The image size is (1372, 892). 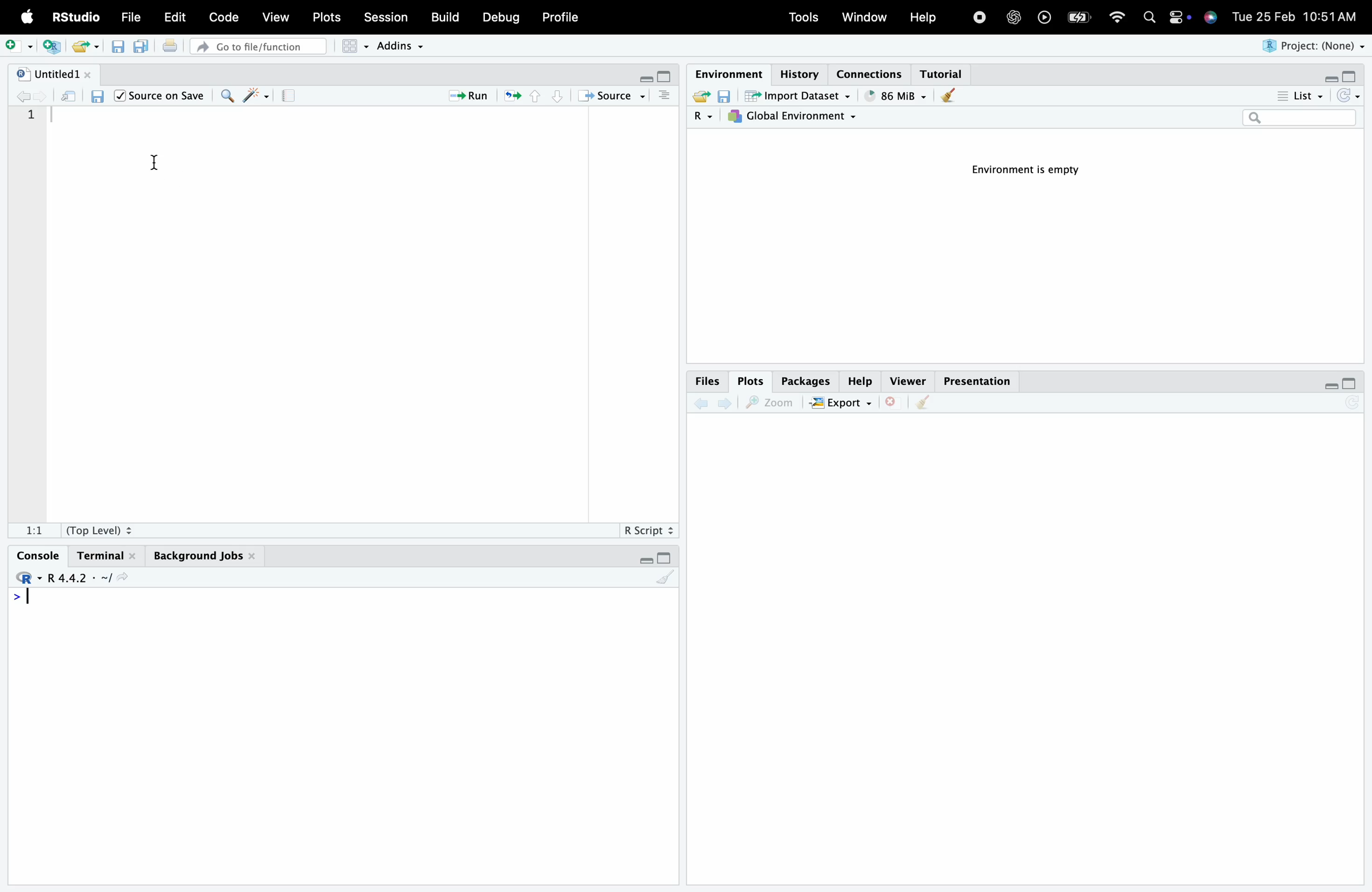 I want to click on back, so click(x=702, y=406).